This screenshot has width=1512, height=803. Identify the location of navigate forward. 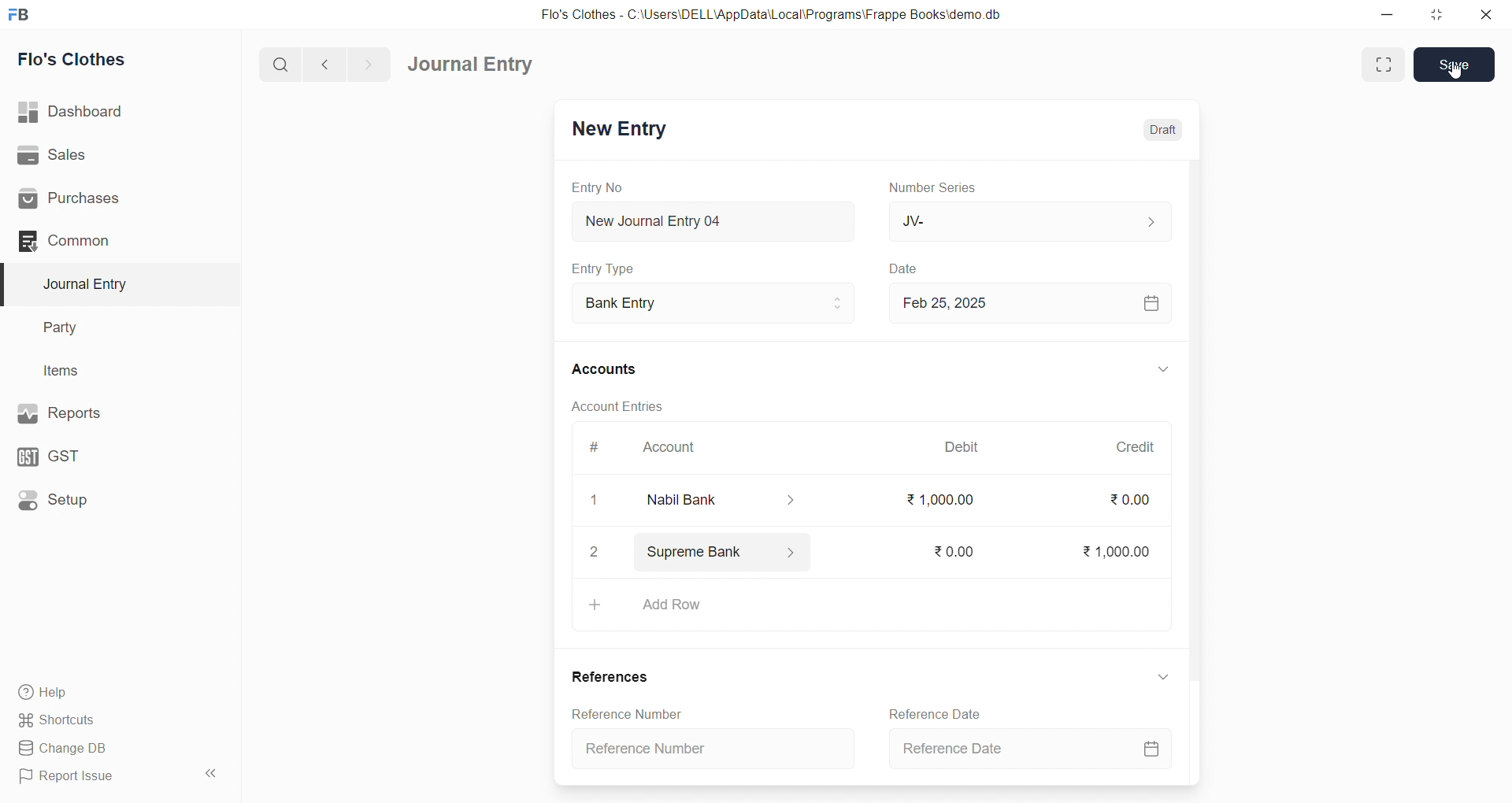
(368, 63).